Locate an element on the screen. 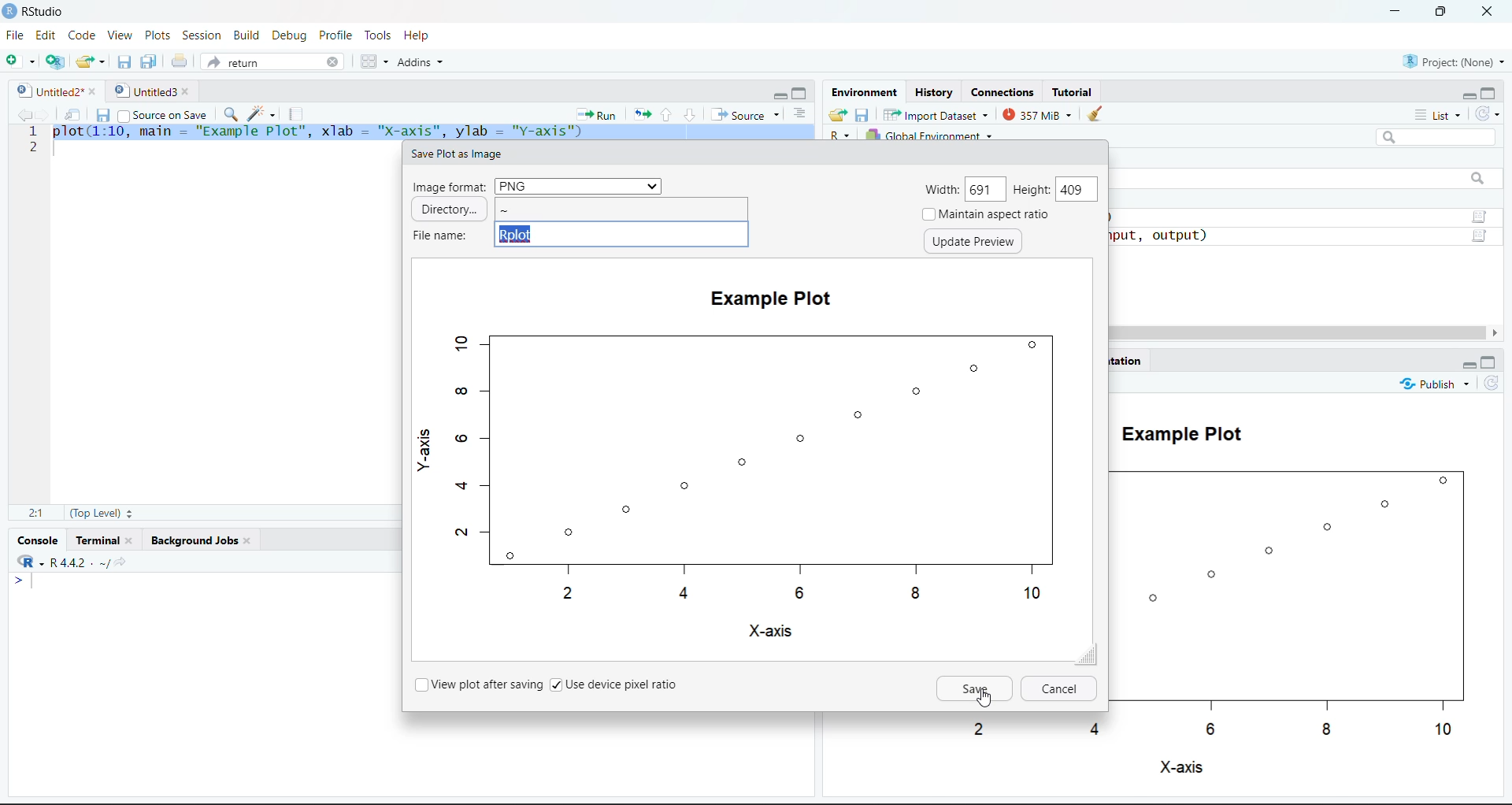 The width and height of the screenshot is (1512, 805). Maximize/Restore is located at coordinates (1491, 362).